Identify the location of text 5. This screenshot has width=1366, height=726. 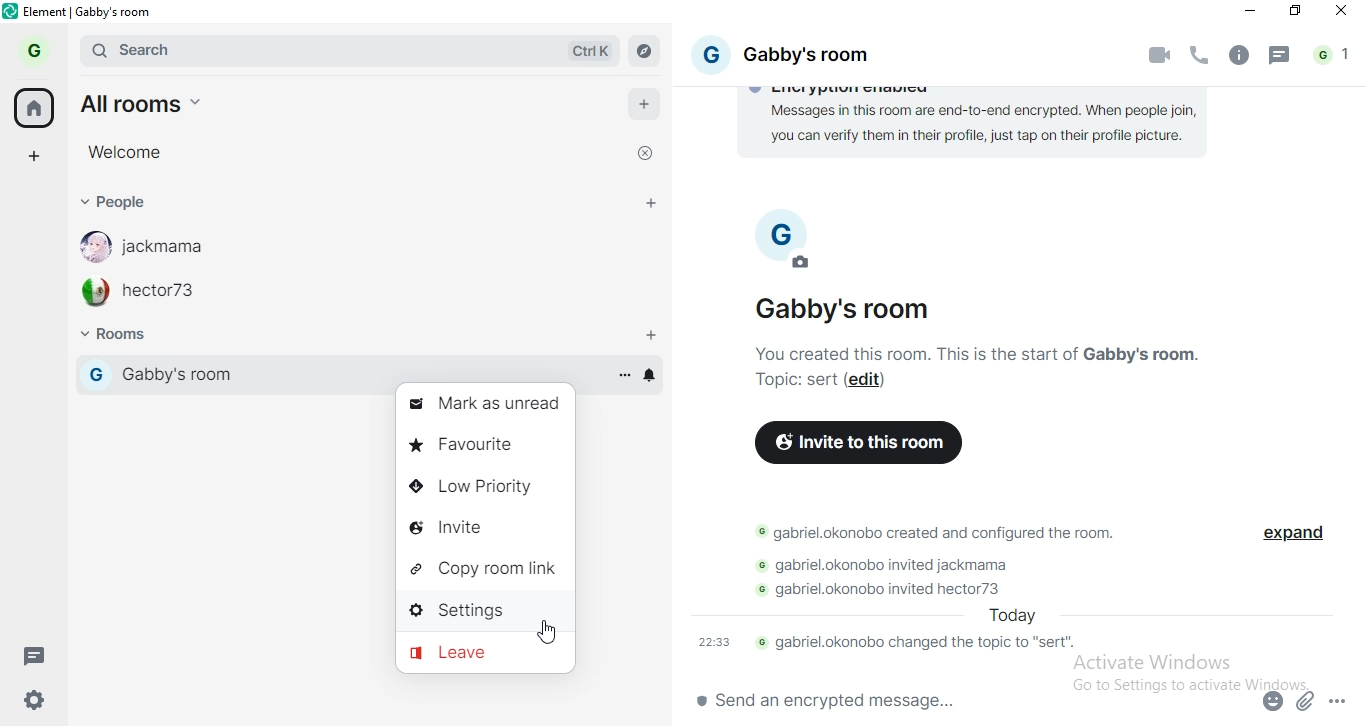
(899, 589).